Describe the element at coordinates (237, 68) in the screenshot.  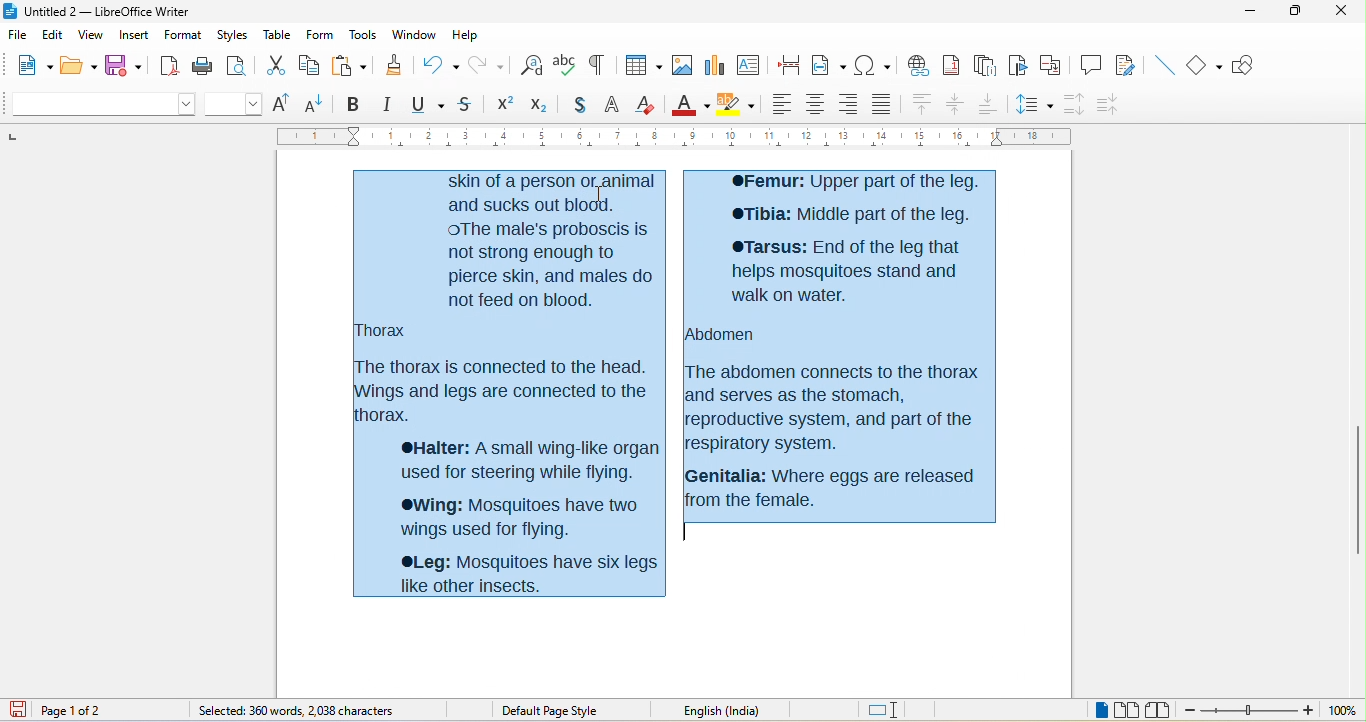
I see `print preview` at that location.